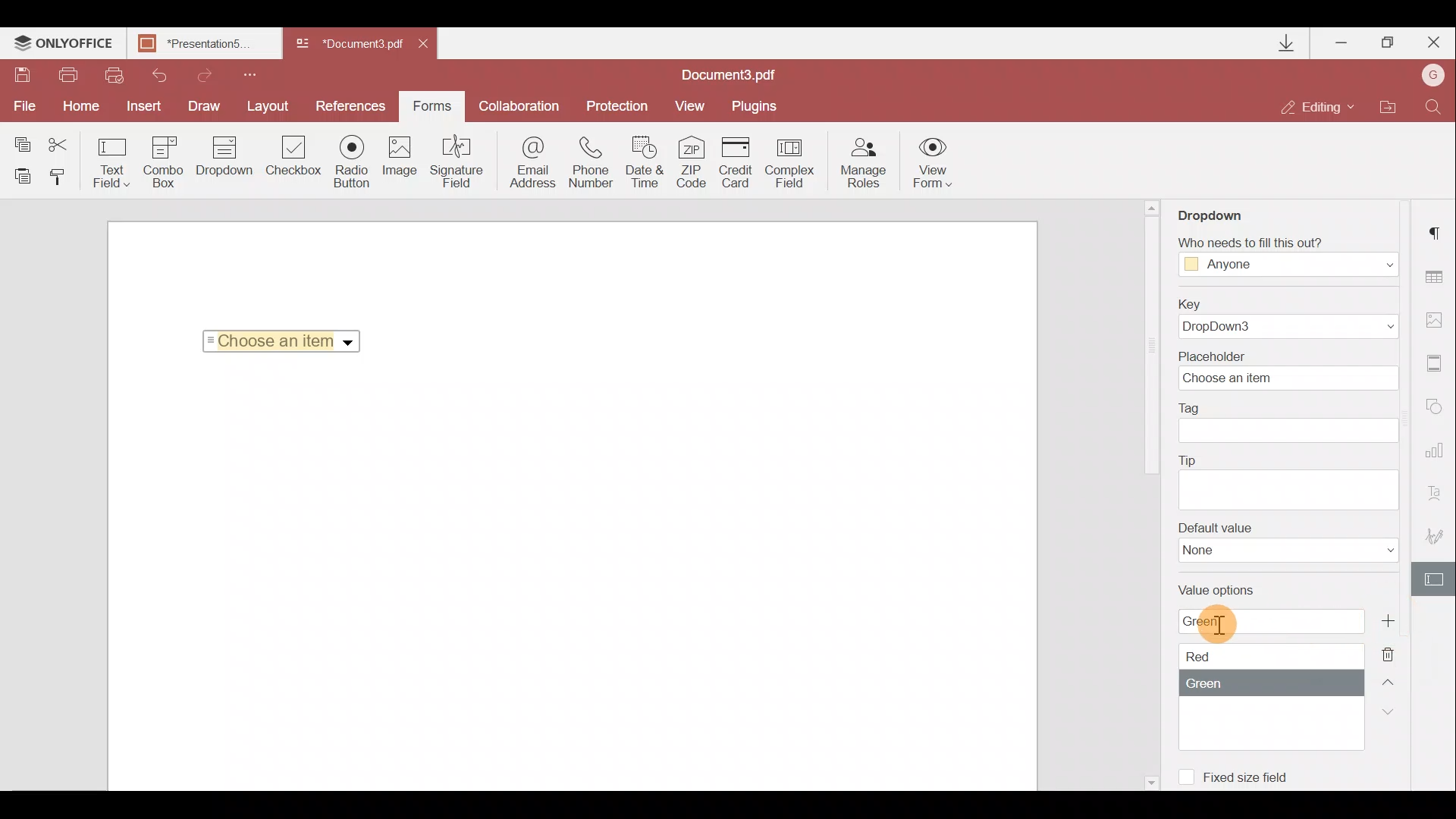 The image size is (1456, 819). What do you see at coordinates (221, 165) in the screenshot?
I see `Dropdown` at bounding box center [221, 165].